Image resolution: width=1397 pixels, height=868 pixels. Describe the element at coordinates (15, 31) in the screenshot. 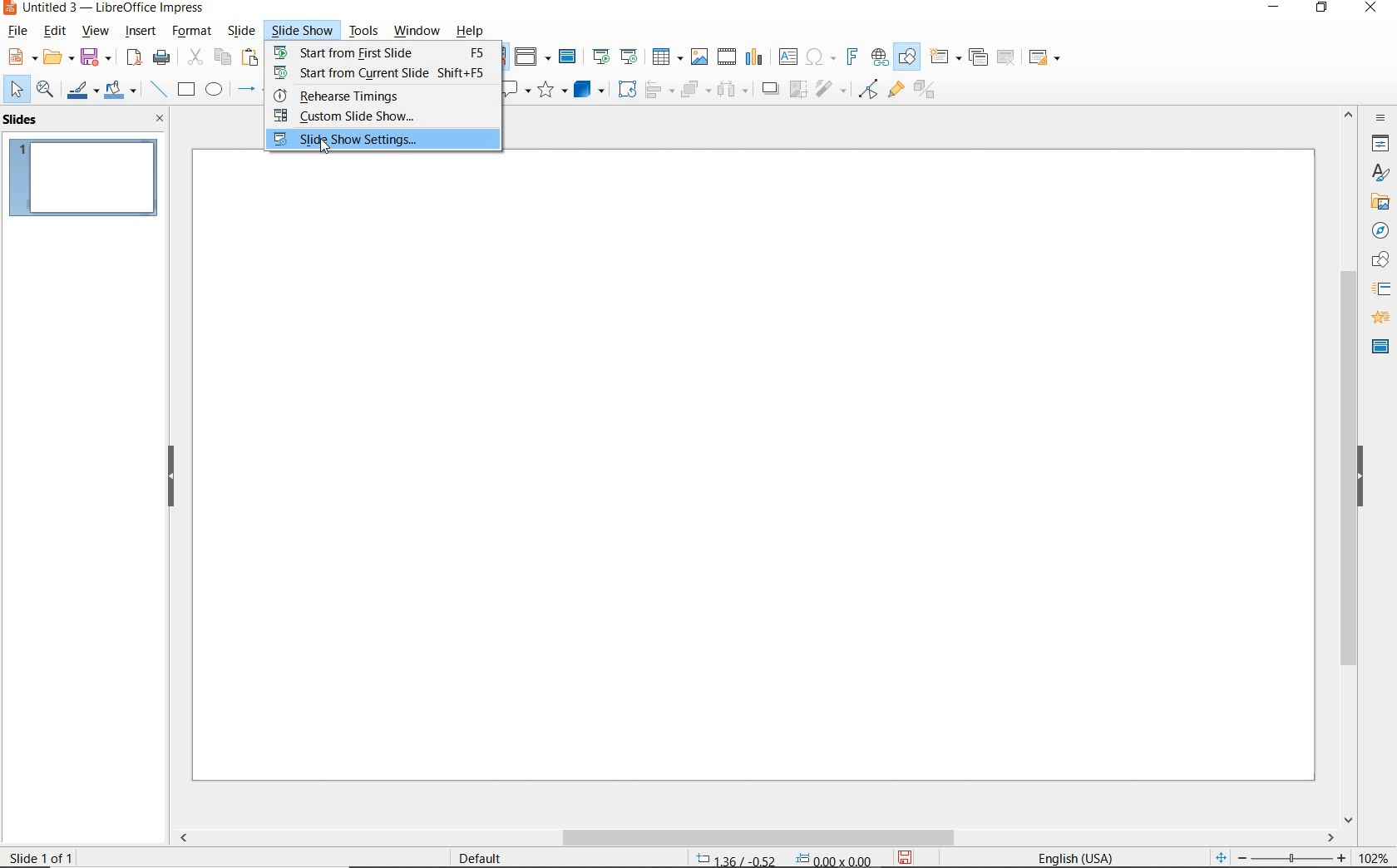

I see `FILE` at that location.